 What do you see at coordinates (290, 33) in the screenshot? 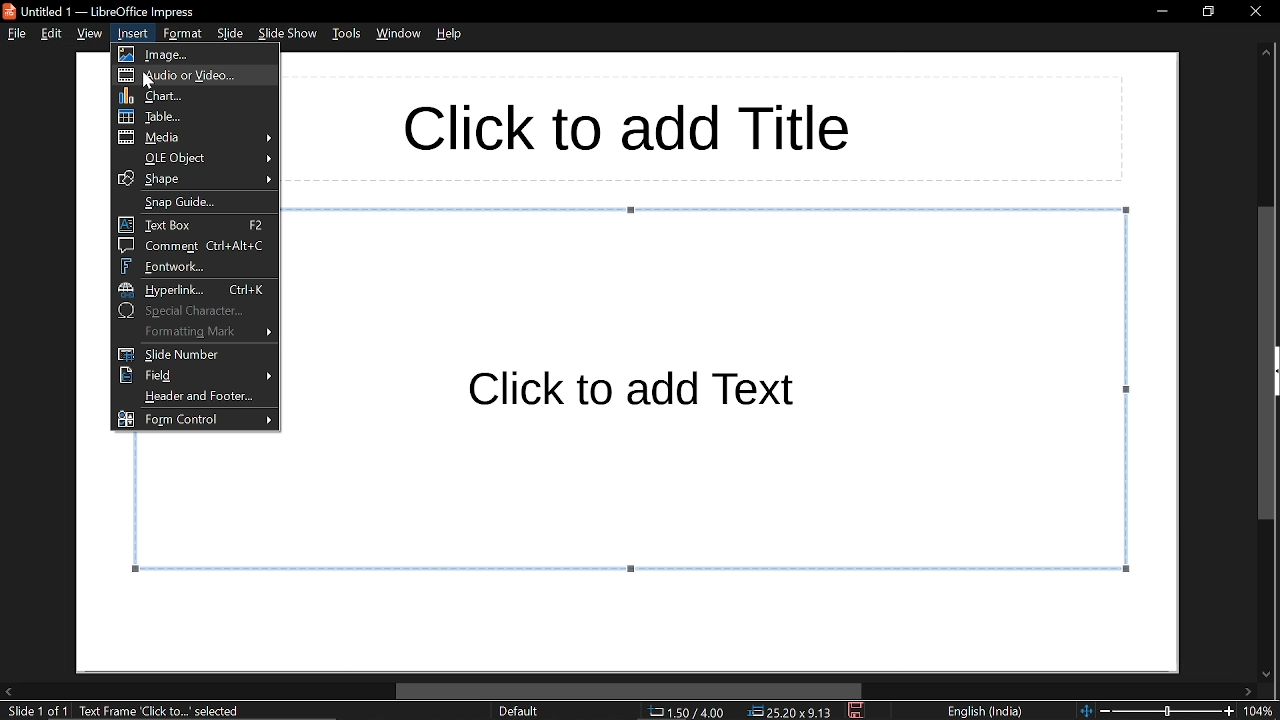
I see `slideshow` at bounding box center [290, 33].